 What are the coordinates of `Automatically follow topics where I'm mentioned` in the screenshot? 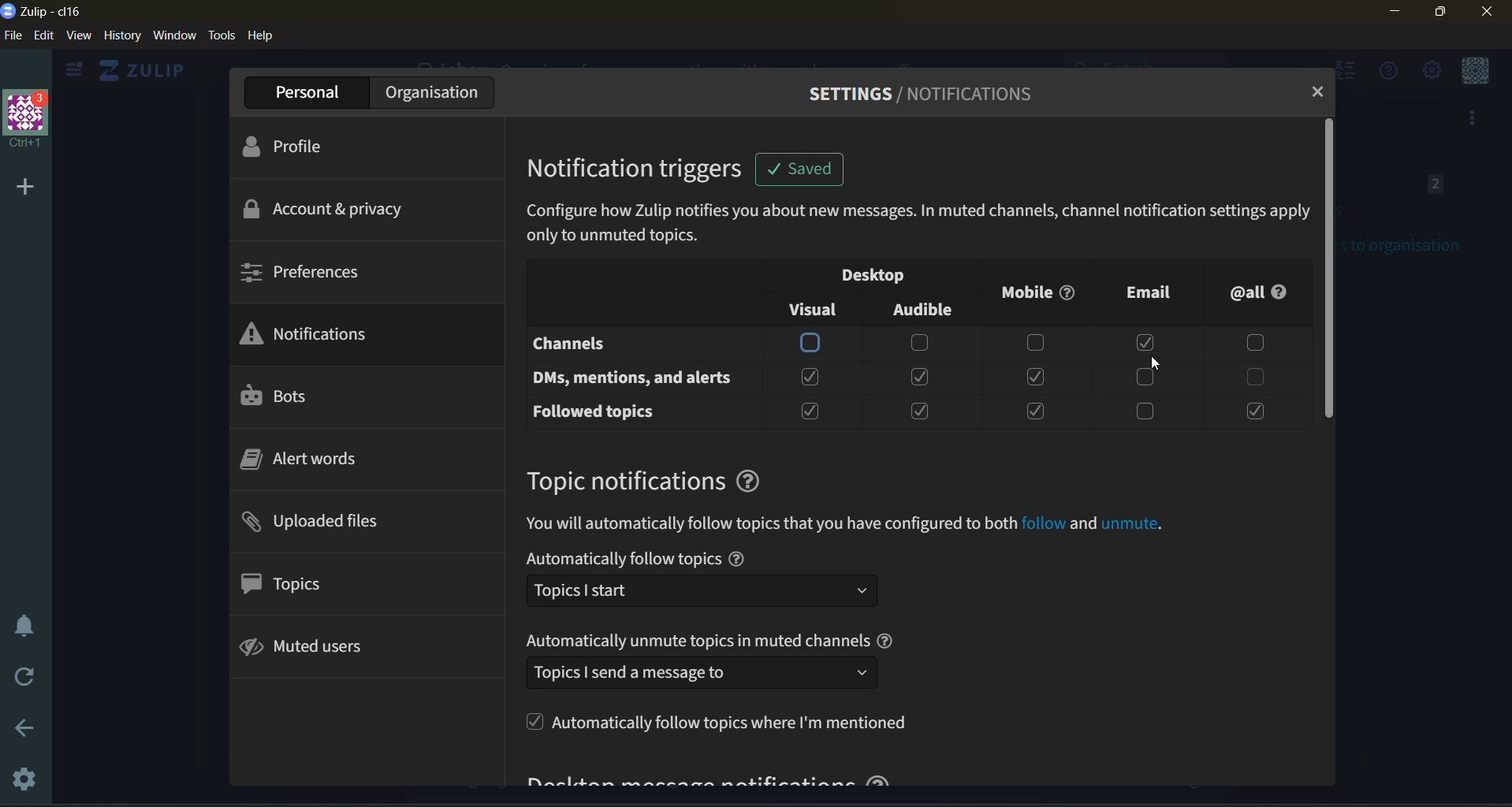 It's located at (716, 721).